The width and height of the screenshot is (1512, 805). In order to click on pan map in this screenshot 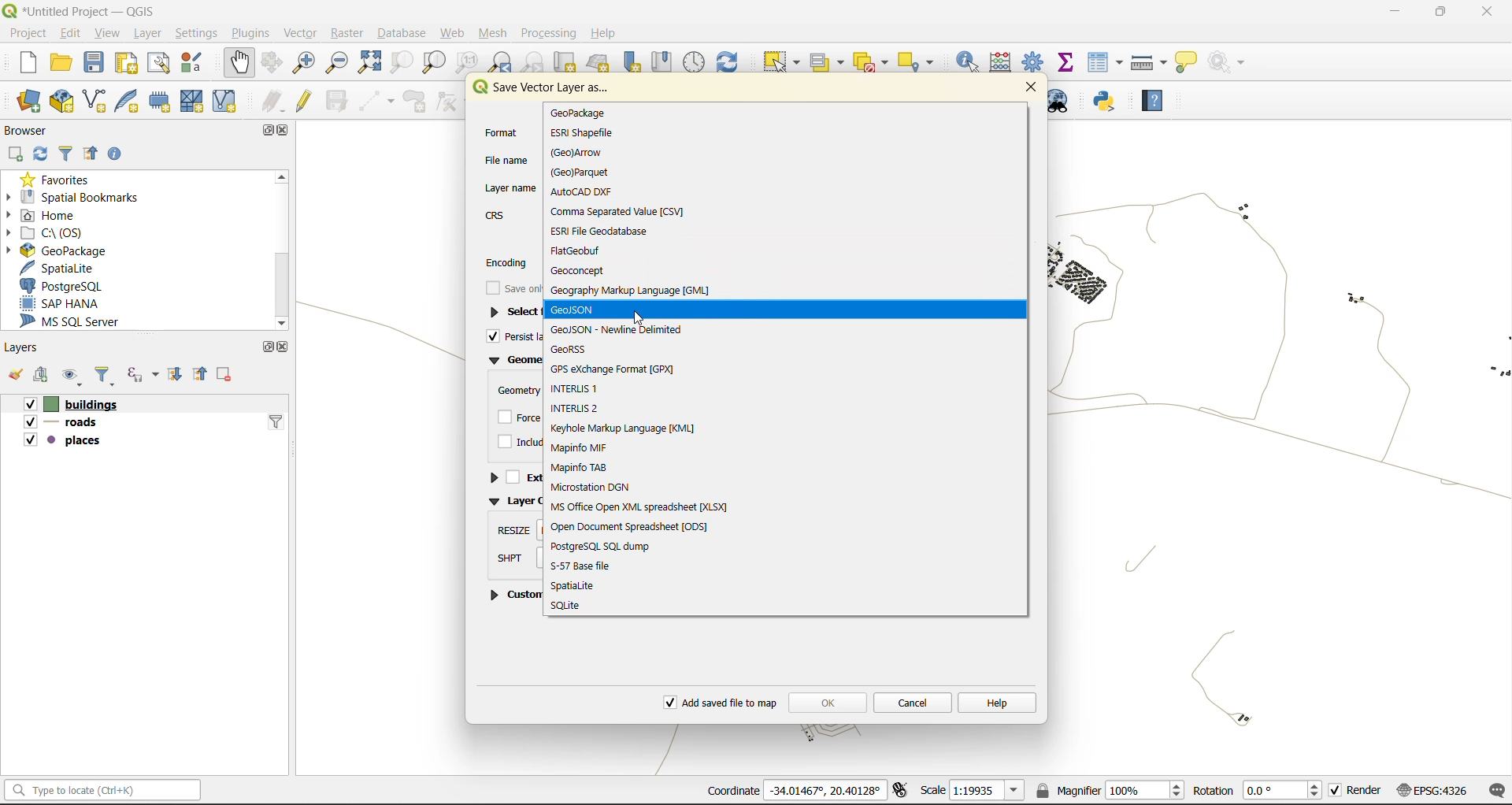, I will do `click(239, 65)`.